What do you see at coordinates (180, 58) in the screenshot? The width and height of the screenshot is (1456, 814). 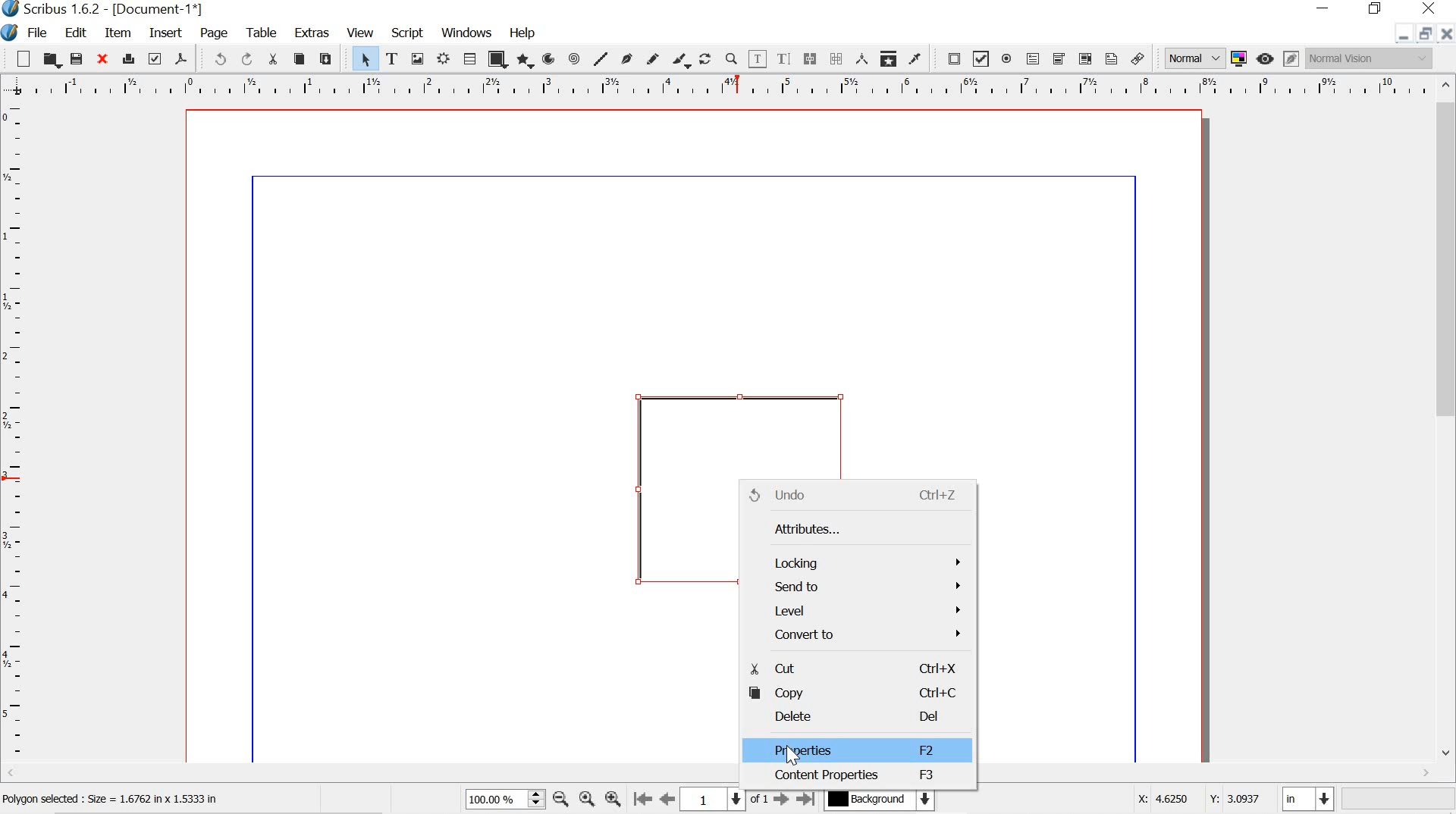 I see `save as pdf` at bounding box center [180, 58].